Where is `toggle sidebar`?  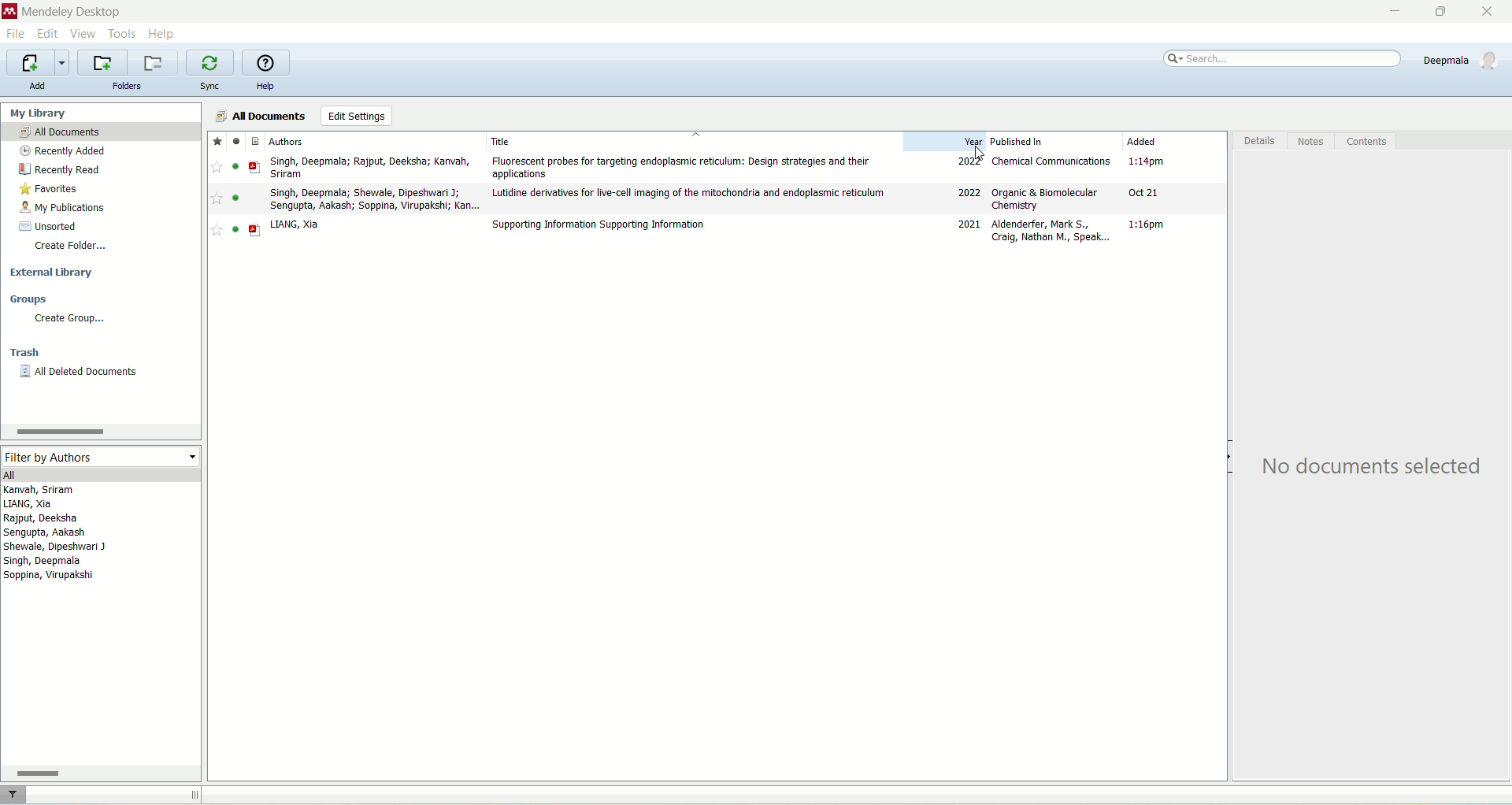
toggle sidebar is located at coordinates (196, 796).